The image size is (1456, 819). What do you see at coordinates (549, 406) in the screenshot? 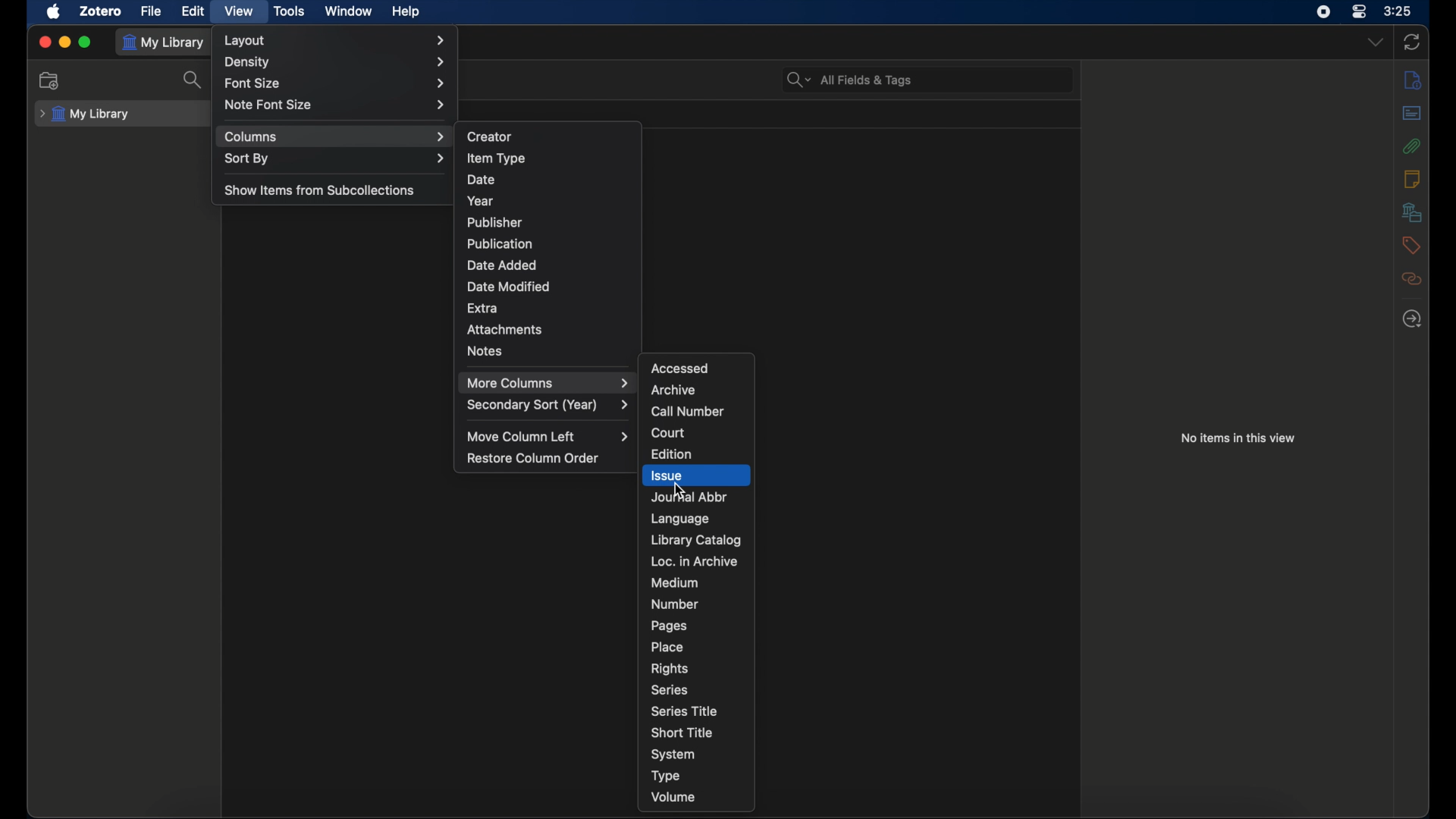
I see `secondary sort` at bounding box center [549, 406].